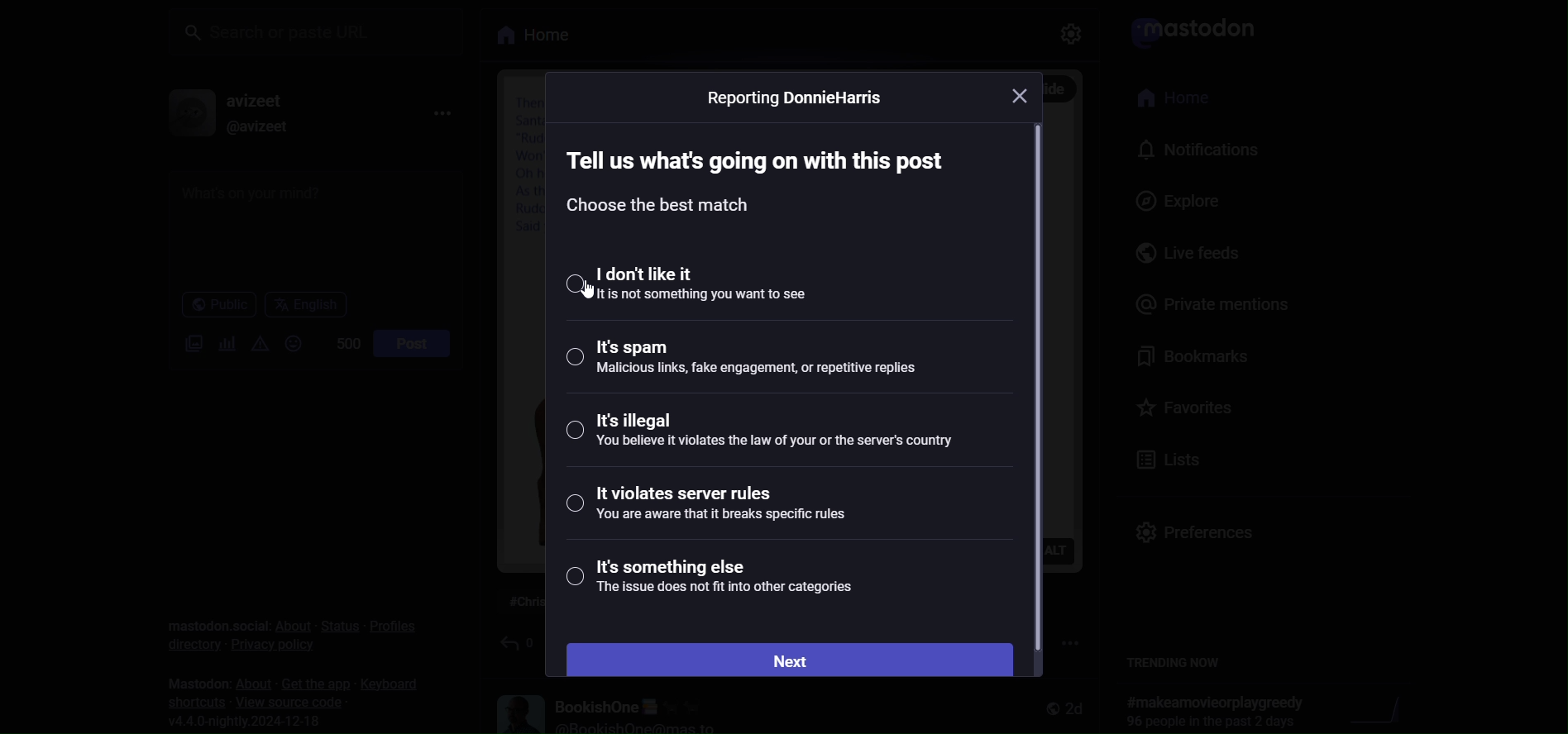 The image size is (1568, 734). Describe the element at coordinates (213, 614) in the screenshot. I see `mastodon social` at that location.